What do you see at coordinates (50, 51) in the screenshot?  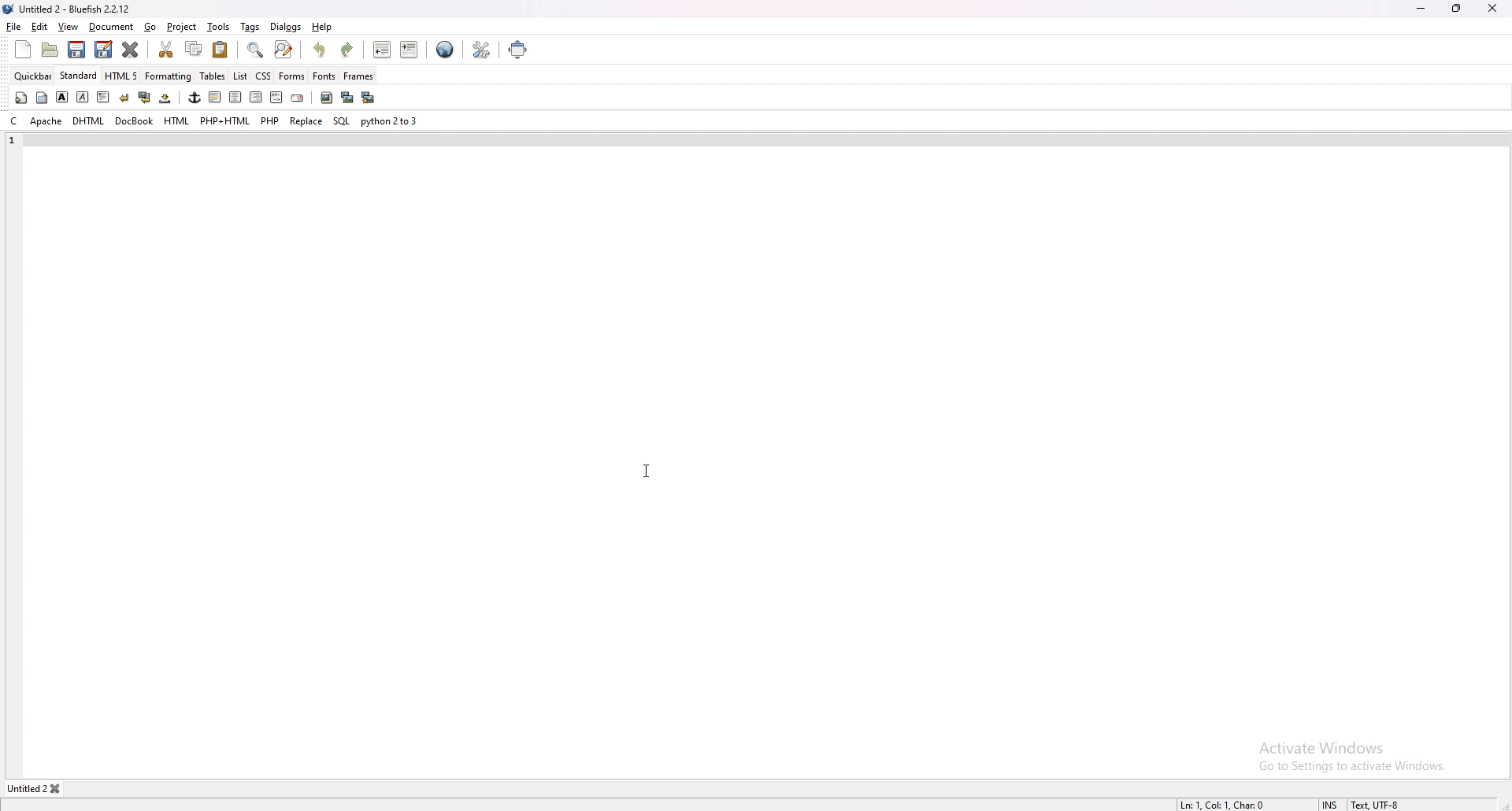 I see `open` at bounding box center [50, 51].